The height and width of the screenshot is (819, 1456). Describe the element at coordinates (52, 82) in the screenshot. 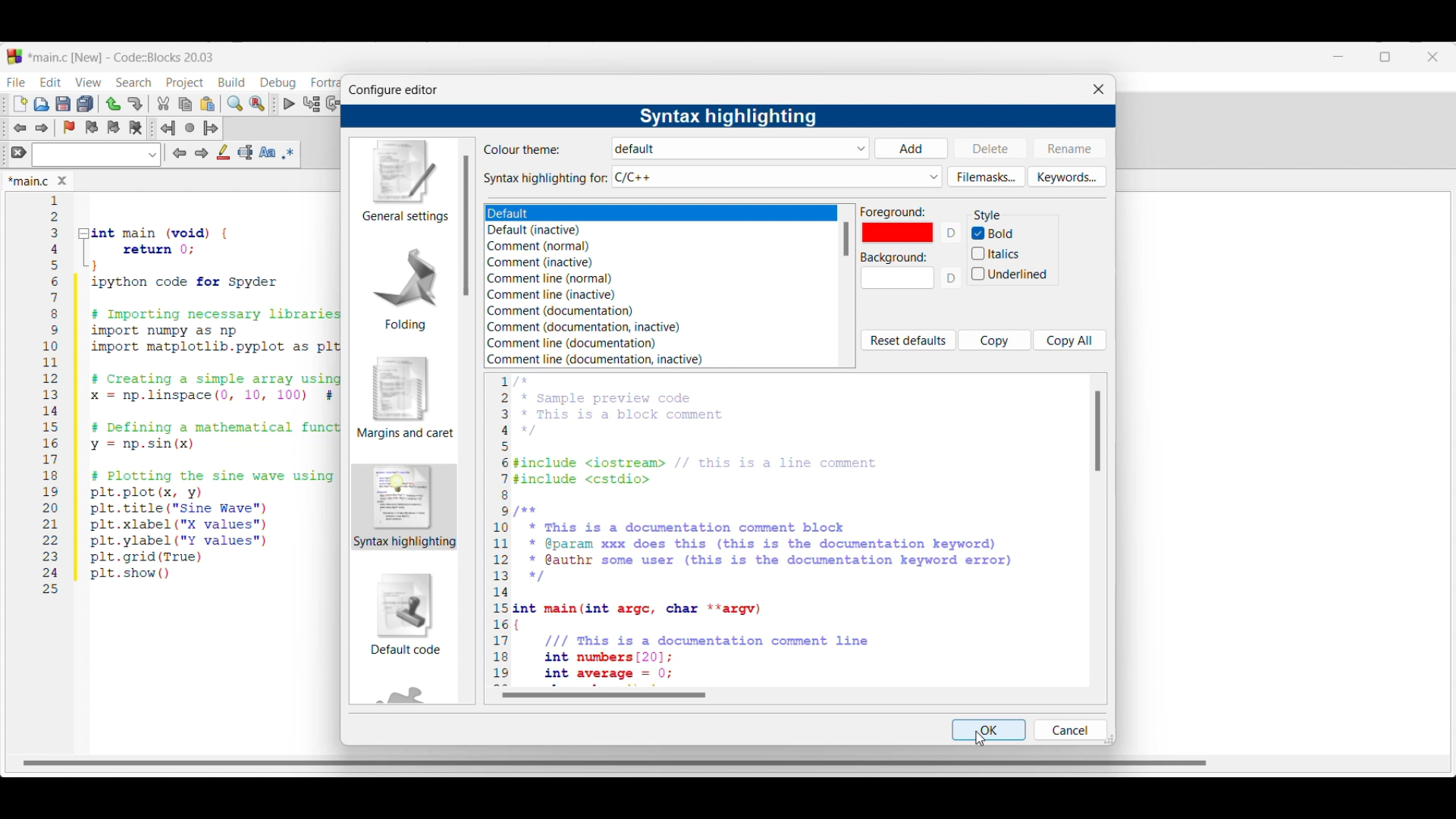

I see `Edit menu` at that location.